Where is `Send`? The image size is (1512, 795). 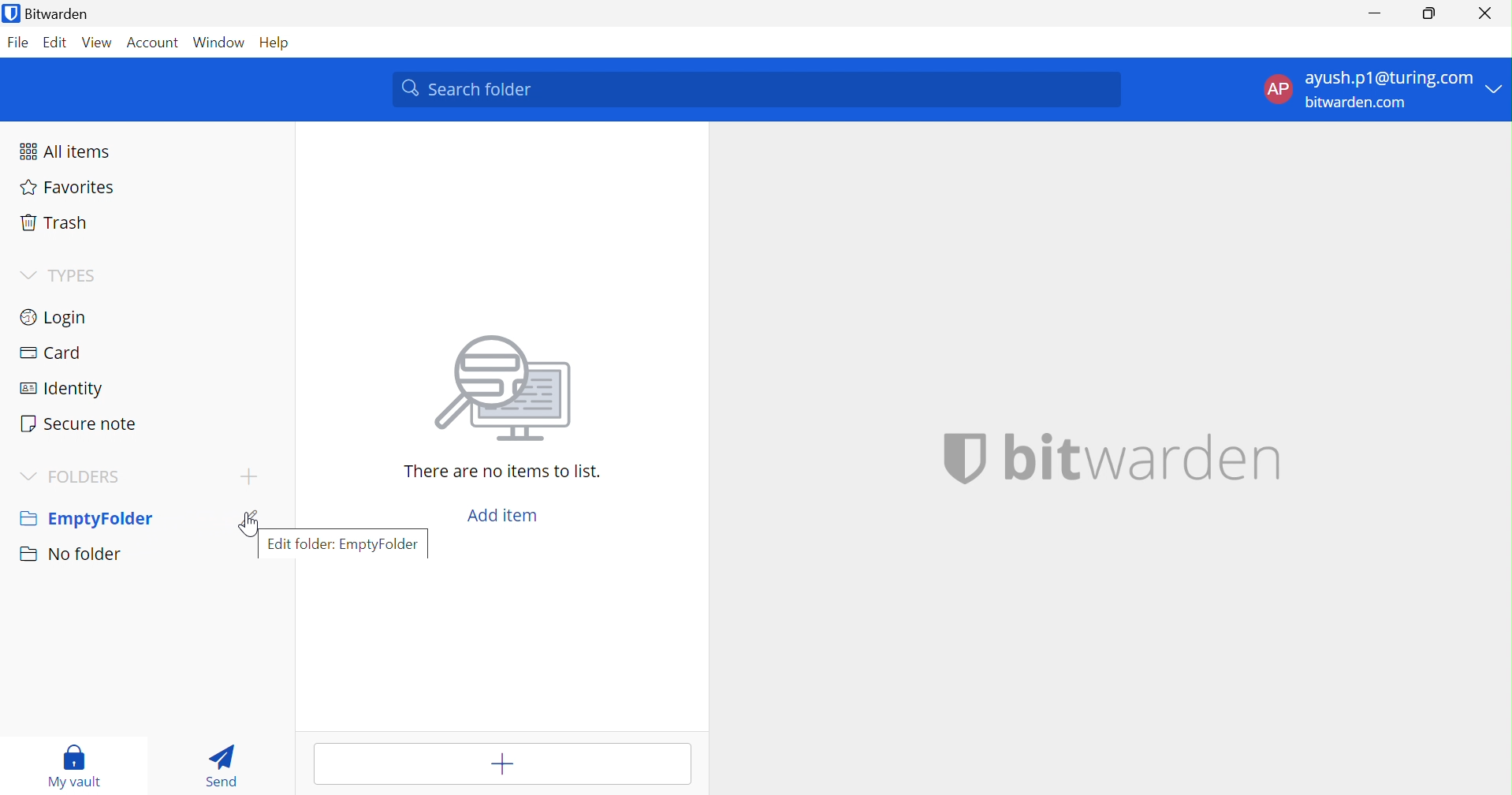
Send is located at coordinates (229, 765).